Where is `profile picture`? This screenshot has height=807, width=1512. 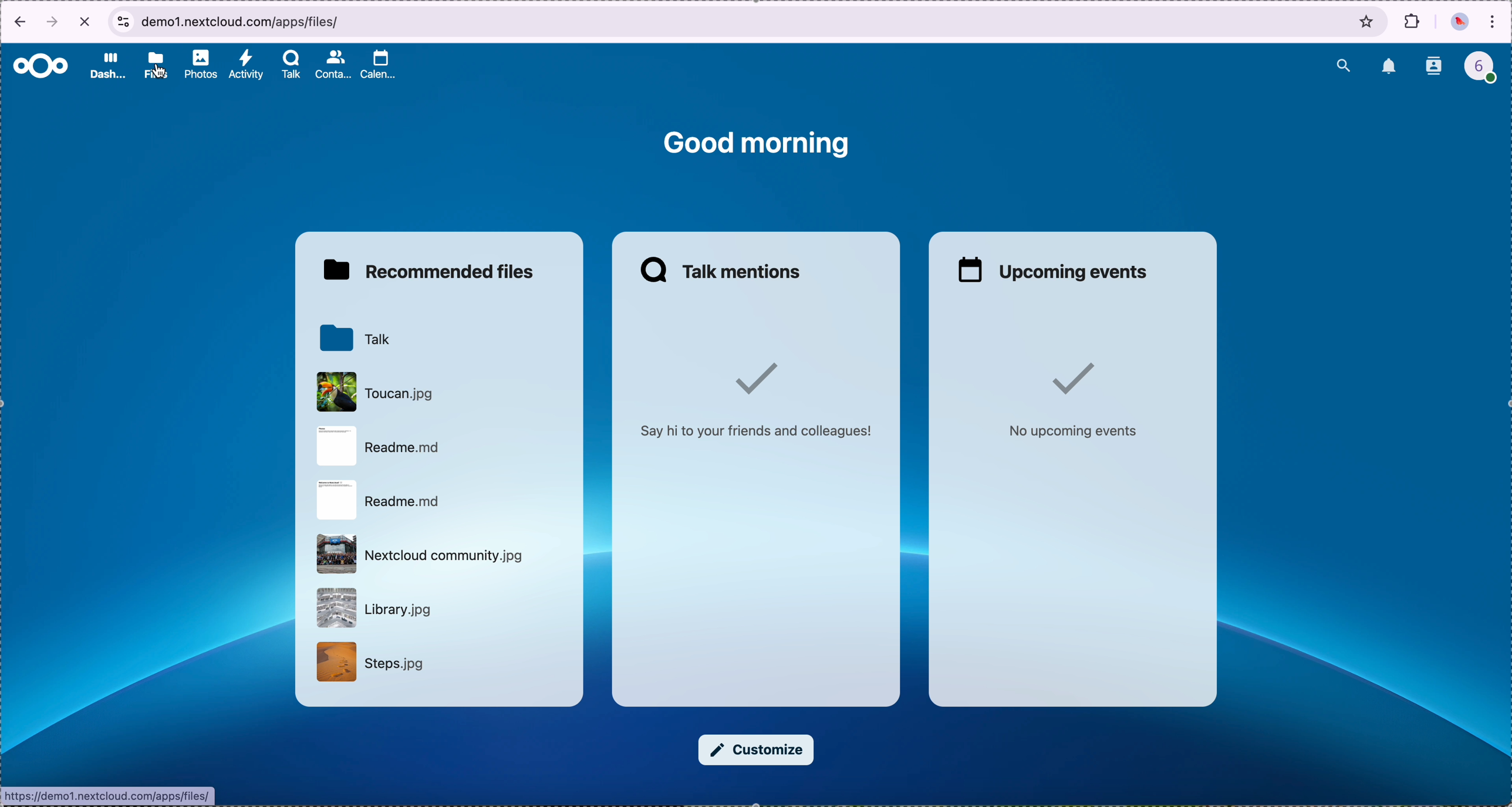 profile picture is located at coordinates (1460, 23).